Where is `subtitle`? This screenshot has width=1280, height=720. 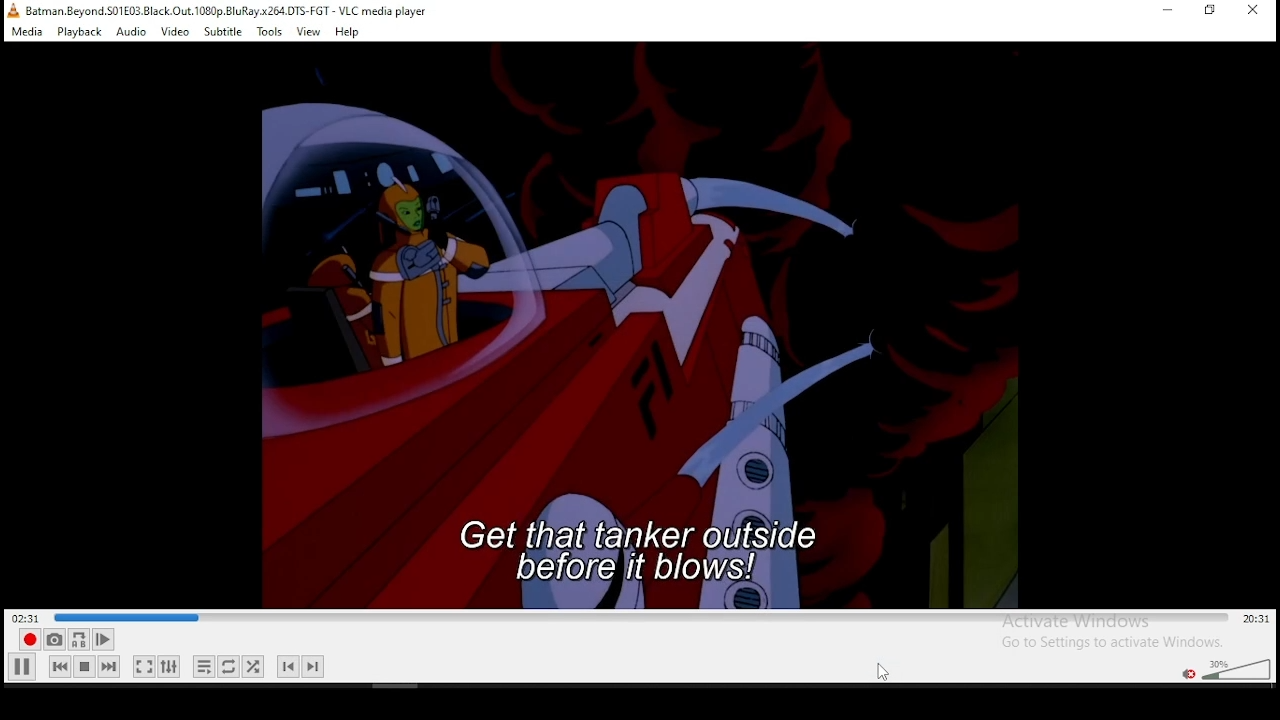 subtitle is located at coordinates (221, 32).